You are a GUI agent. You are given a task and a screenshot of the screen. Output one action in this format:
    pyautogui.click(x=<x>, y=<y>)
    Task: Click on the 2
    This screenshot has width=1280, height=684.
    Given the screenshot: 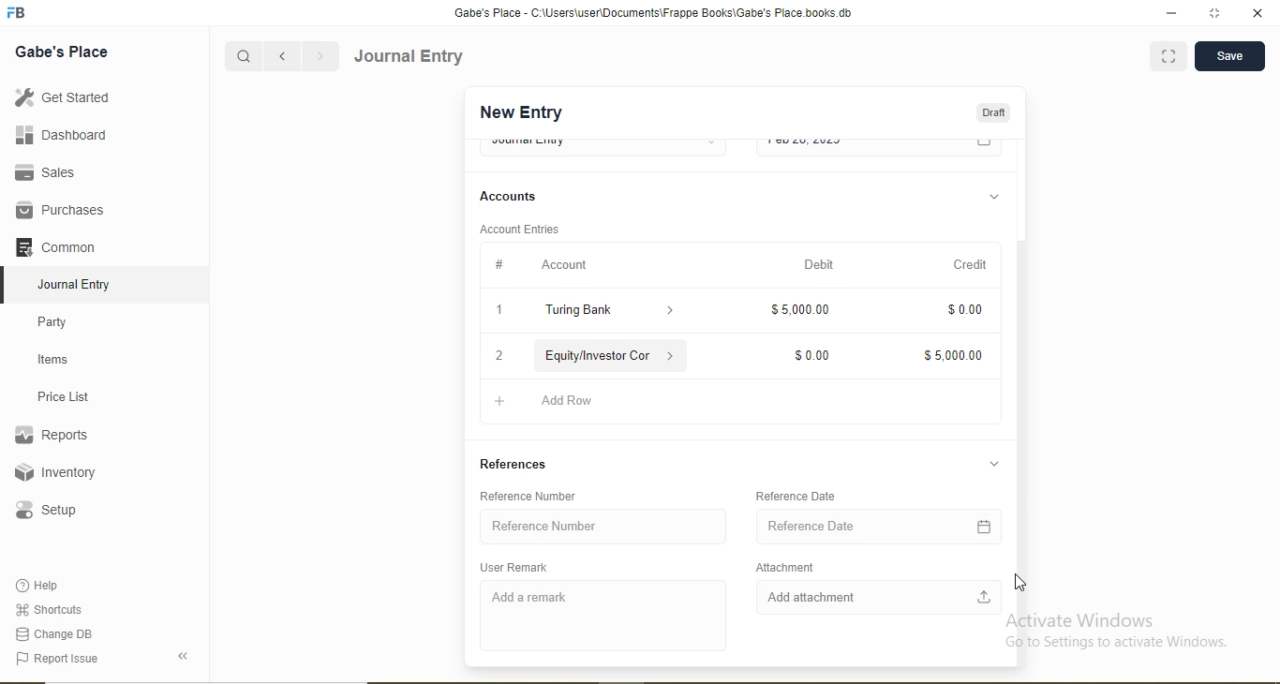 What is the action you would take?
    pyautogui.click(x=498, y=358)
    